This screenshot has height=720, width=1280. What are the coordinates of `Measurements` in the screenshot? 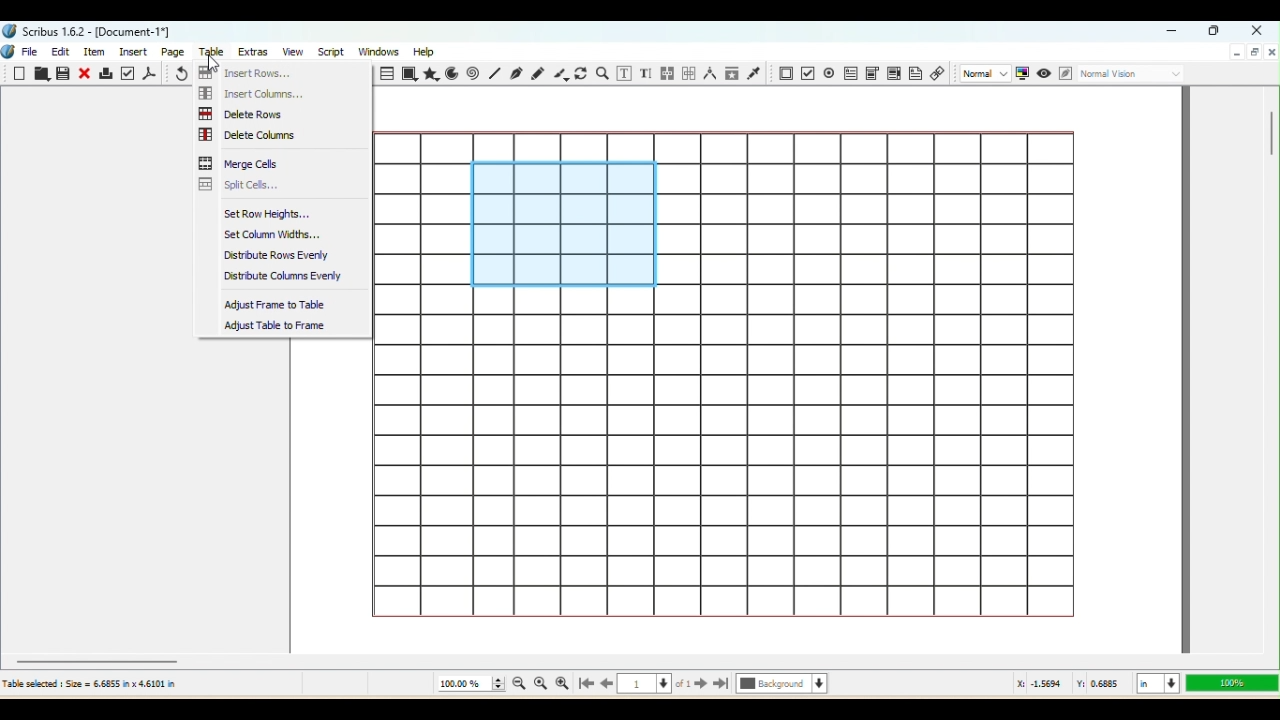 It's located at (708, 74).